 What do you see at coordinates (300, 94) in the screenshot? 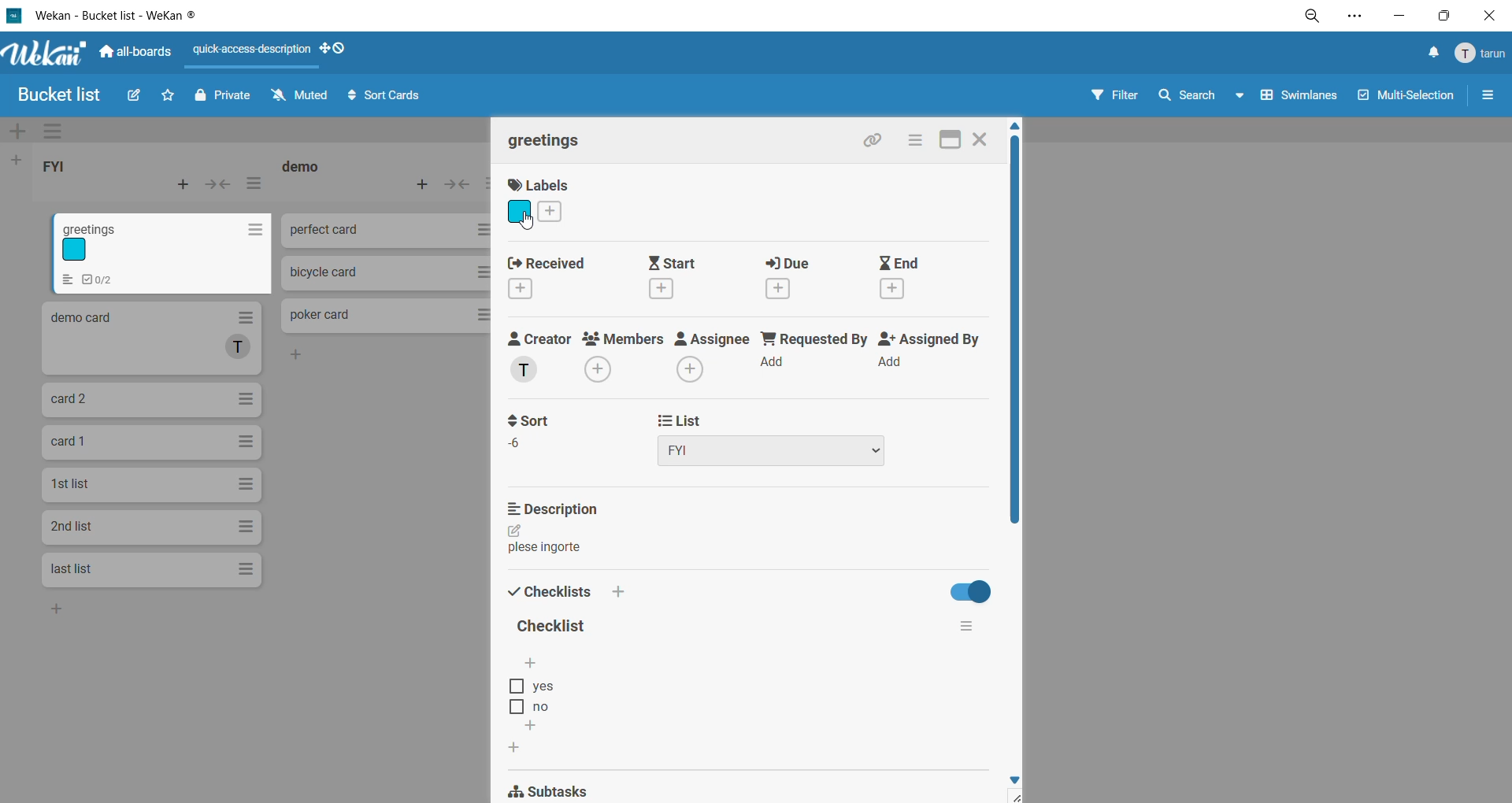
I see `muted` at bounding box center [300, 94].